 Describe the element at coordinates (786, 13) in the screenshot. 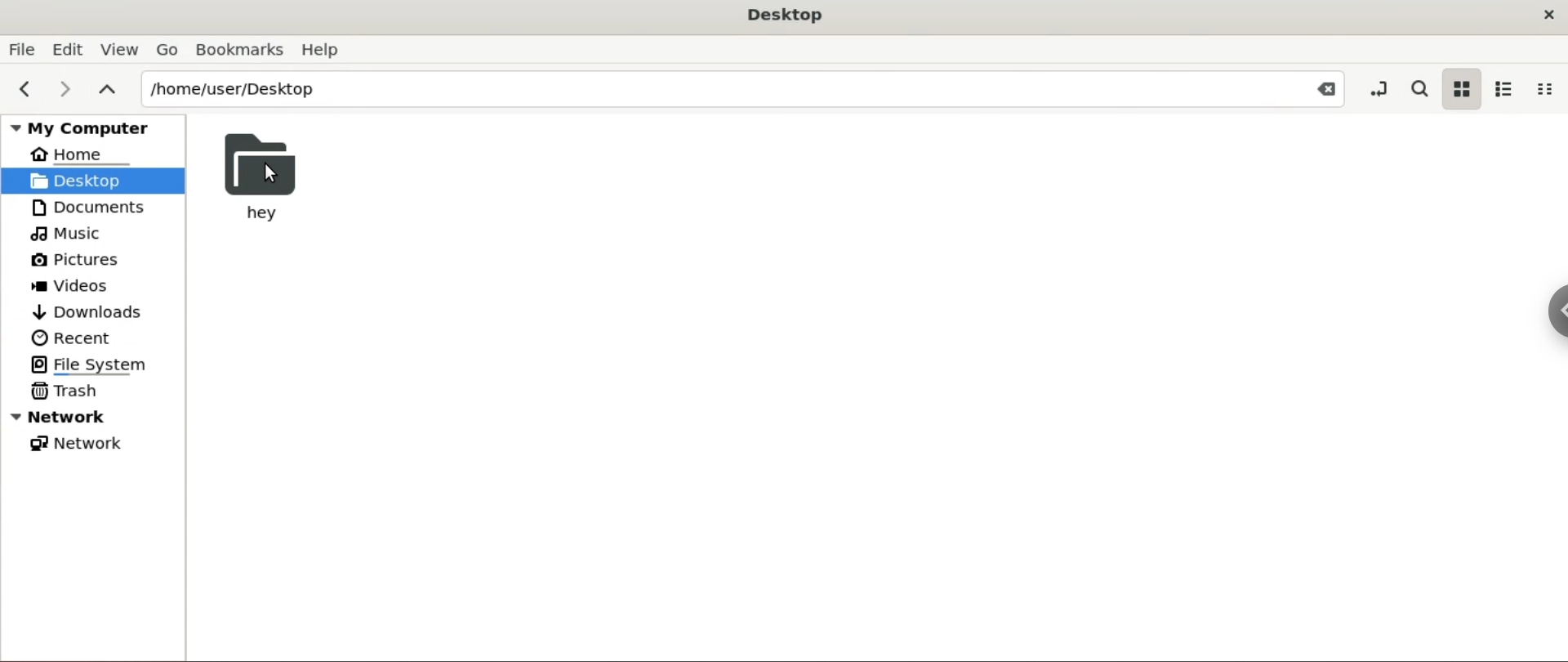

I see `Desktop` at that location.